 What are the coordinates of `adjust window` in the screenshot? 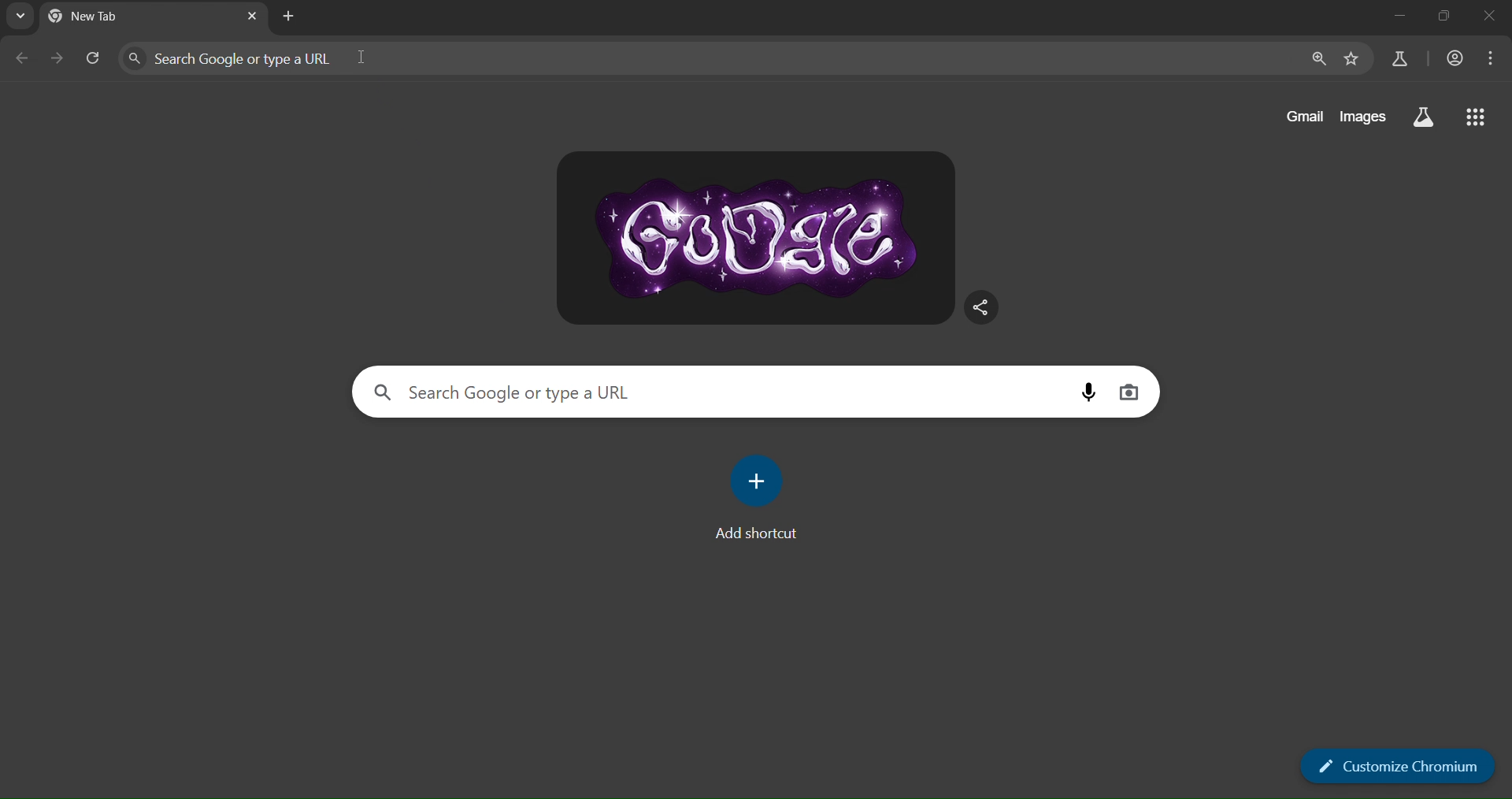 It's located at (1437, 20).